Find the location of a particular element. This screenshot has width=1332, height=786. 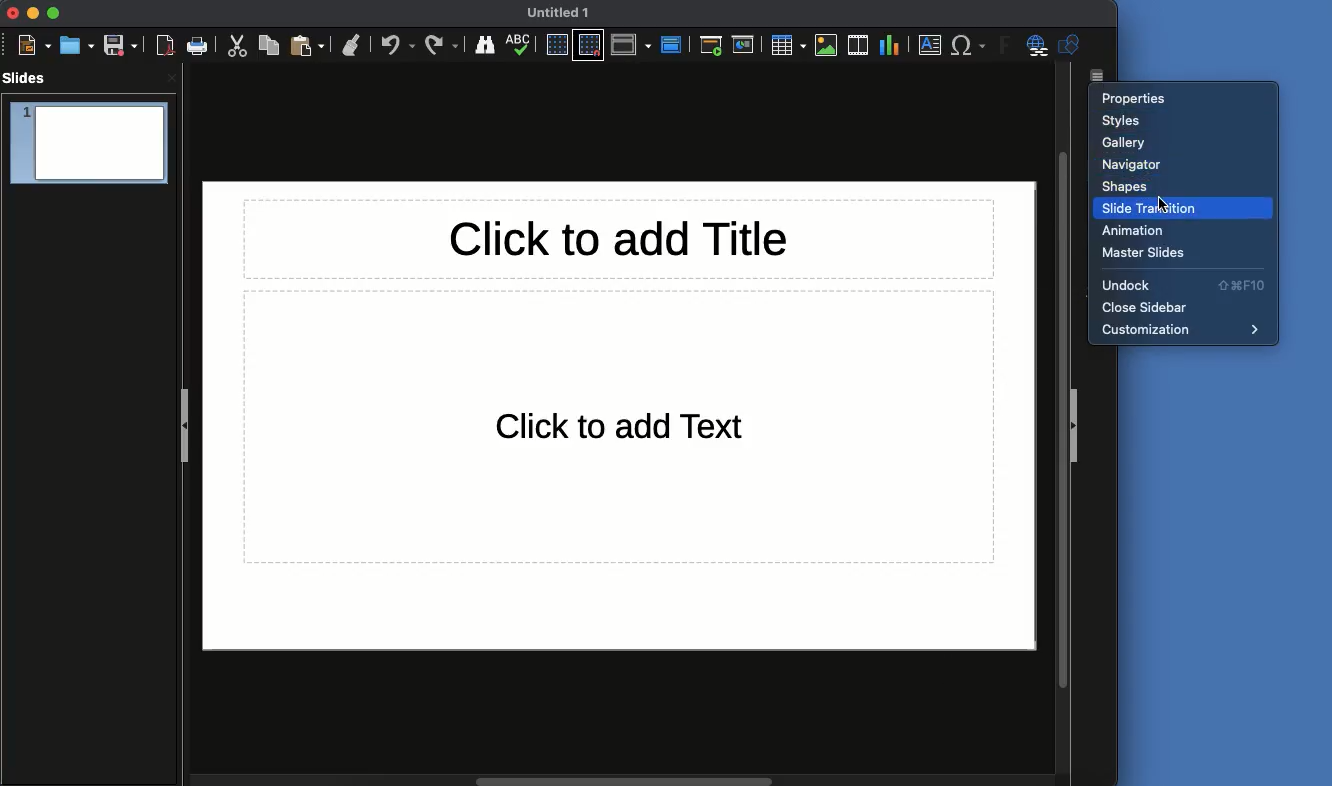

Export as PDF is located at coordinates (166, 46).